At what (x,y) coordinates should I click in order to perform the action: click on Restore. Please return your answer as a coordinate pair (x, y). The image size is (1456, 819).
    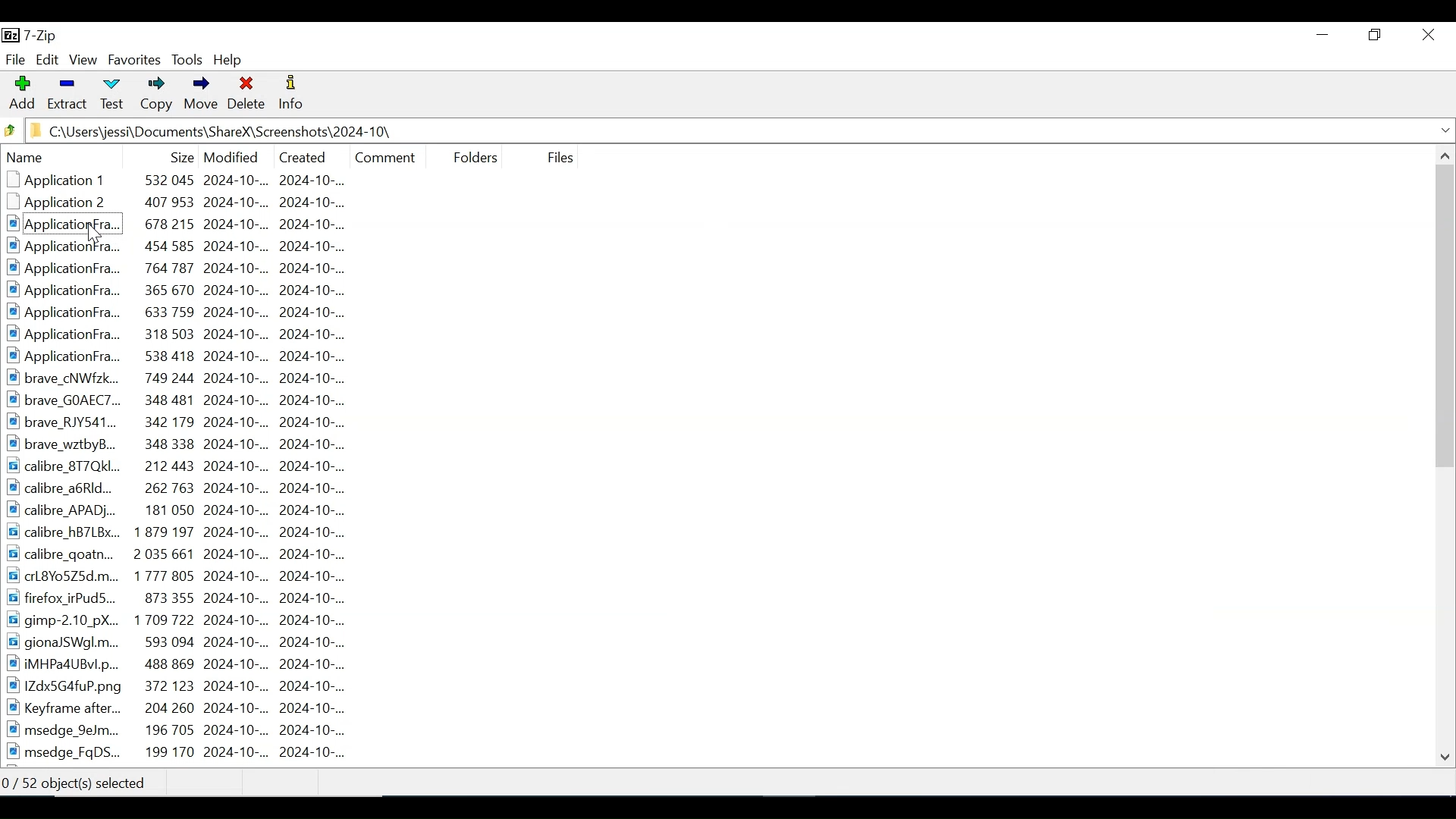
    Looking at the image, I should click on (1377, 34).